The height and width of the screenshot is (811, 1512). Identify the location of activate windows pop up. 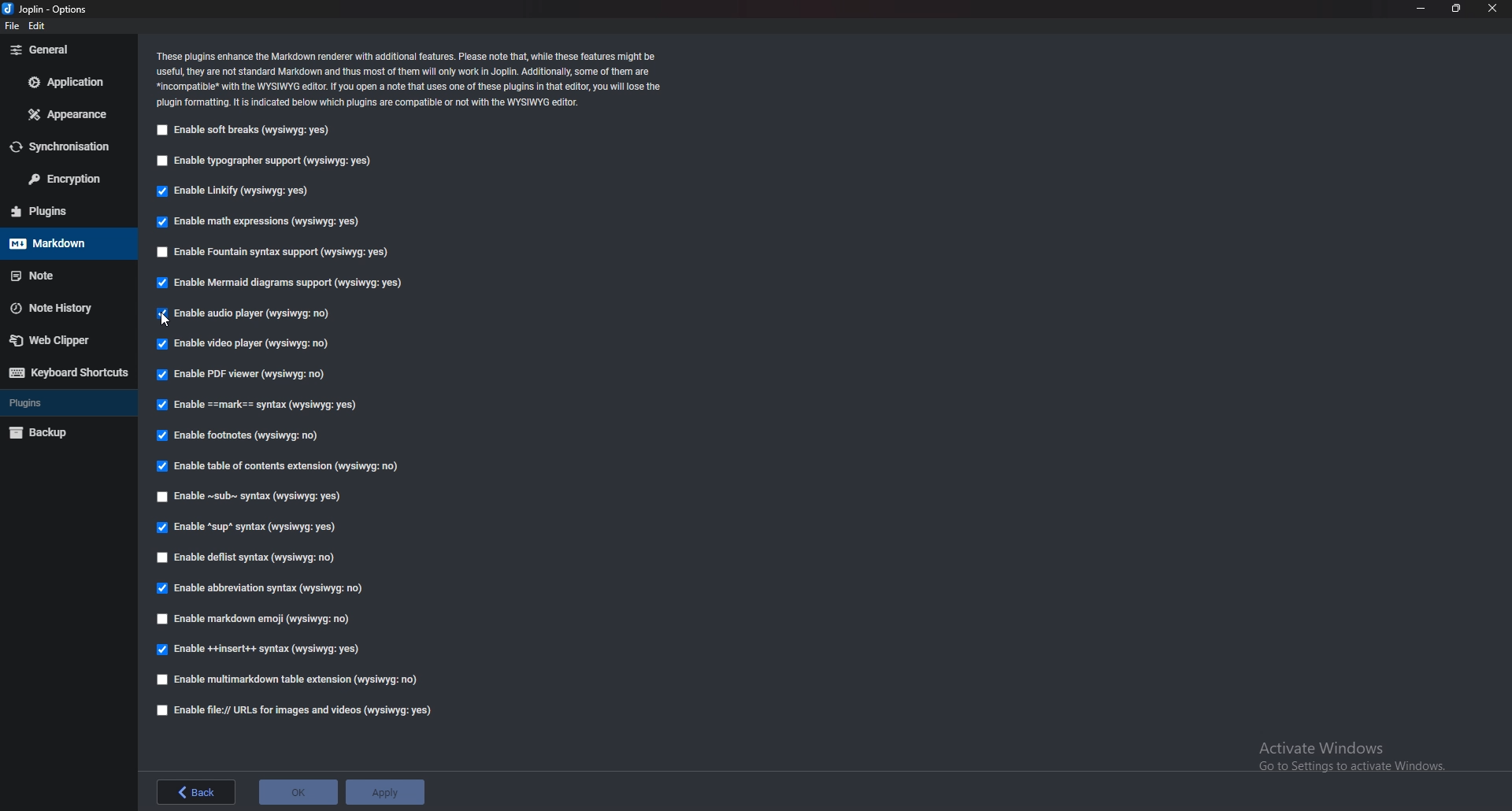
(1345, 762).